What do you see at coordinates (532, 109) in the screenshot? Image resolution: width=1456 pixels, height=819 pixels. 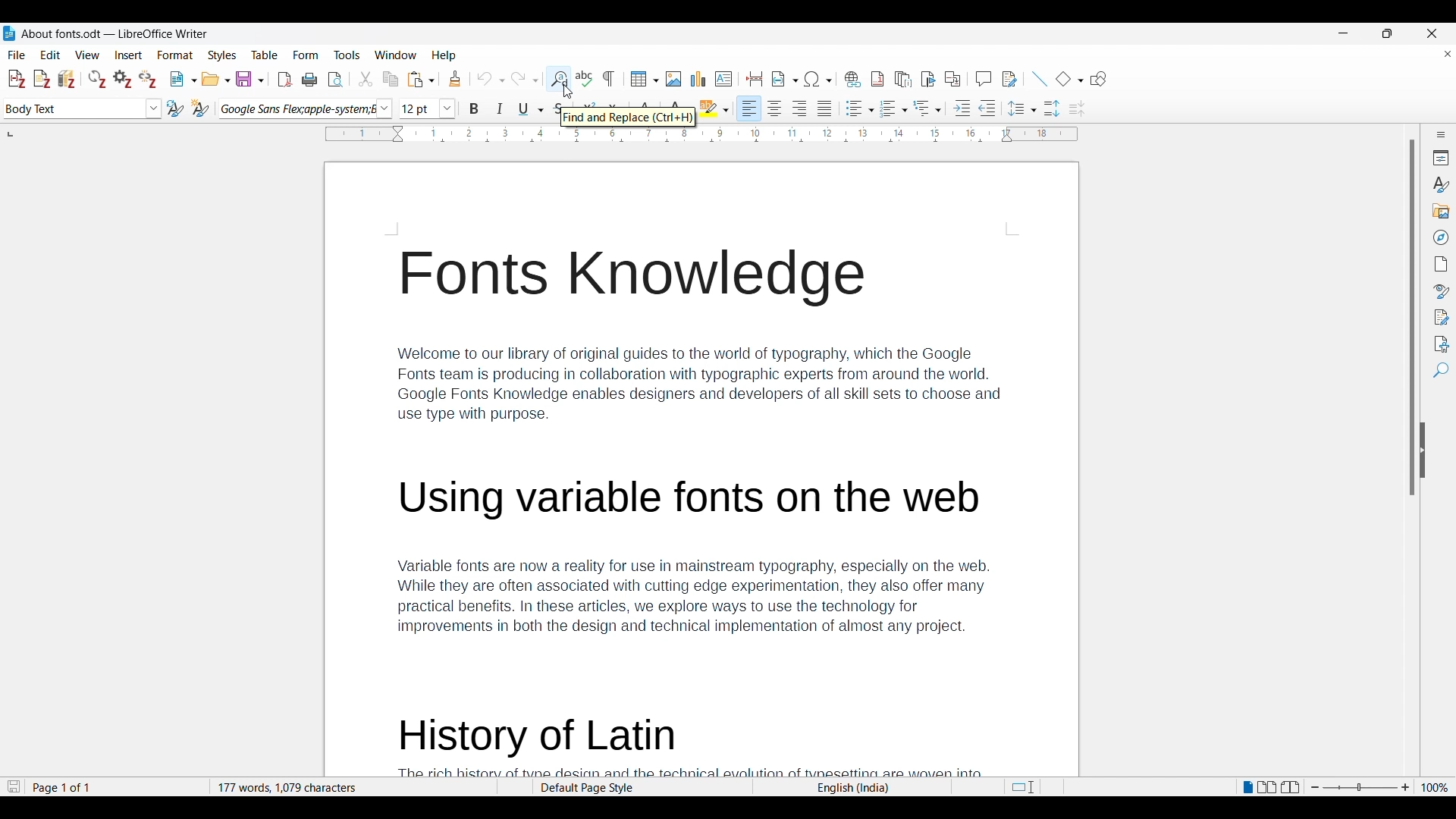 I see `Underline options` at bounding box center [532, 109].